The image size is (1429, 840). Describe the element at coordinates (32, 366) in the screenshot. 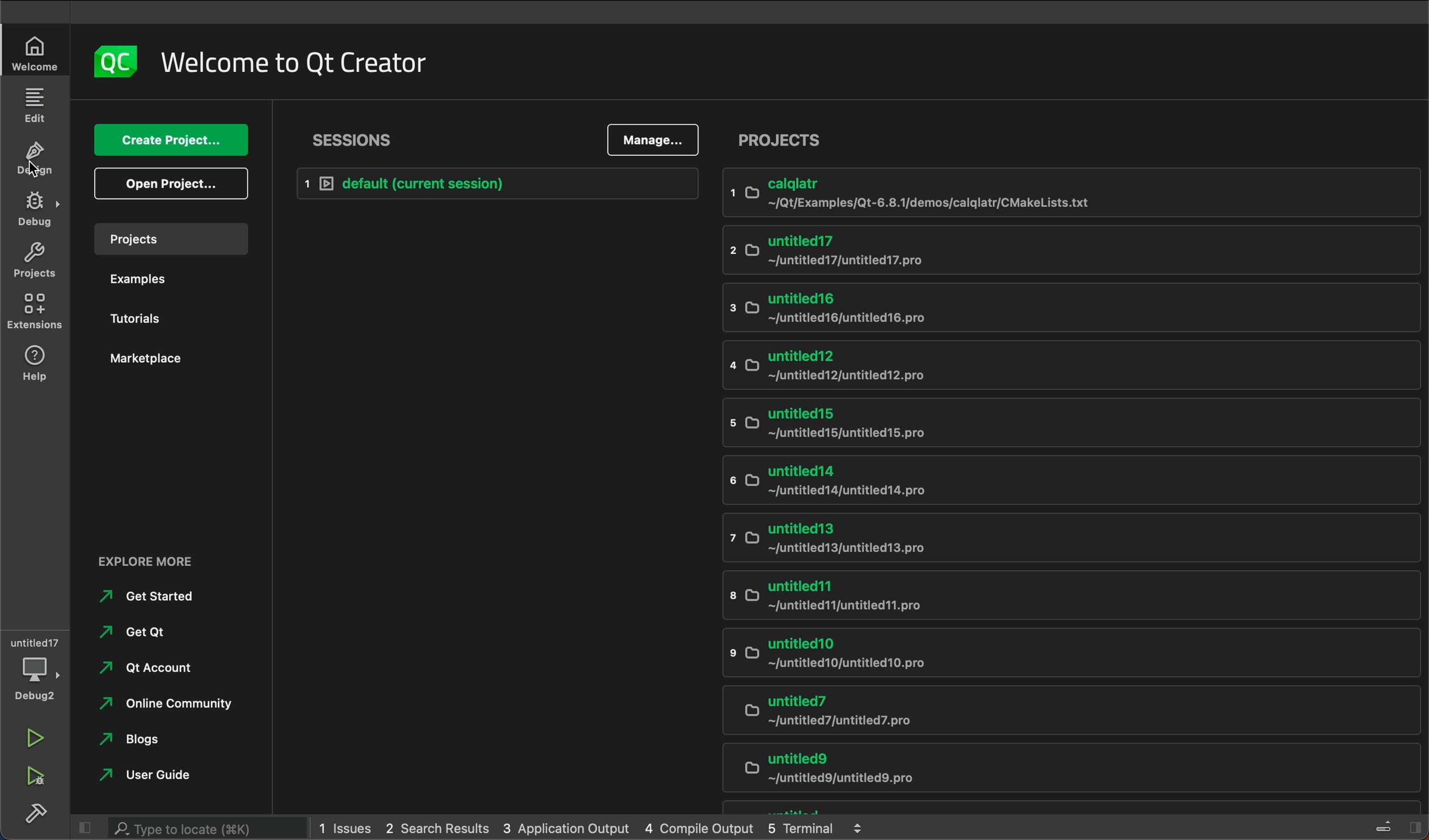

I see `help` at that location.